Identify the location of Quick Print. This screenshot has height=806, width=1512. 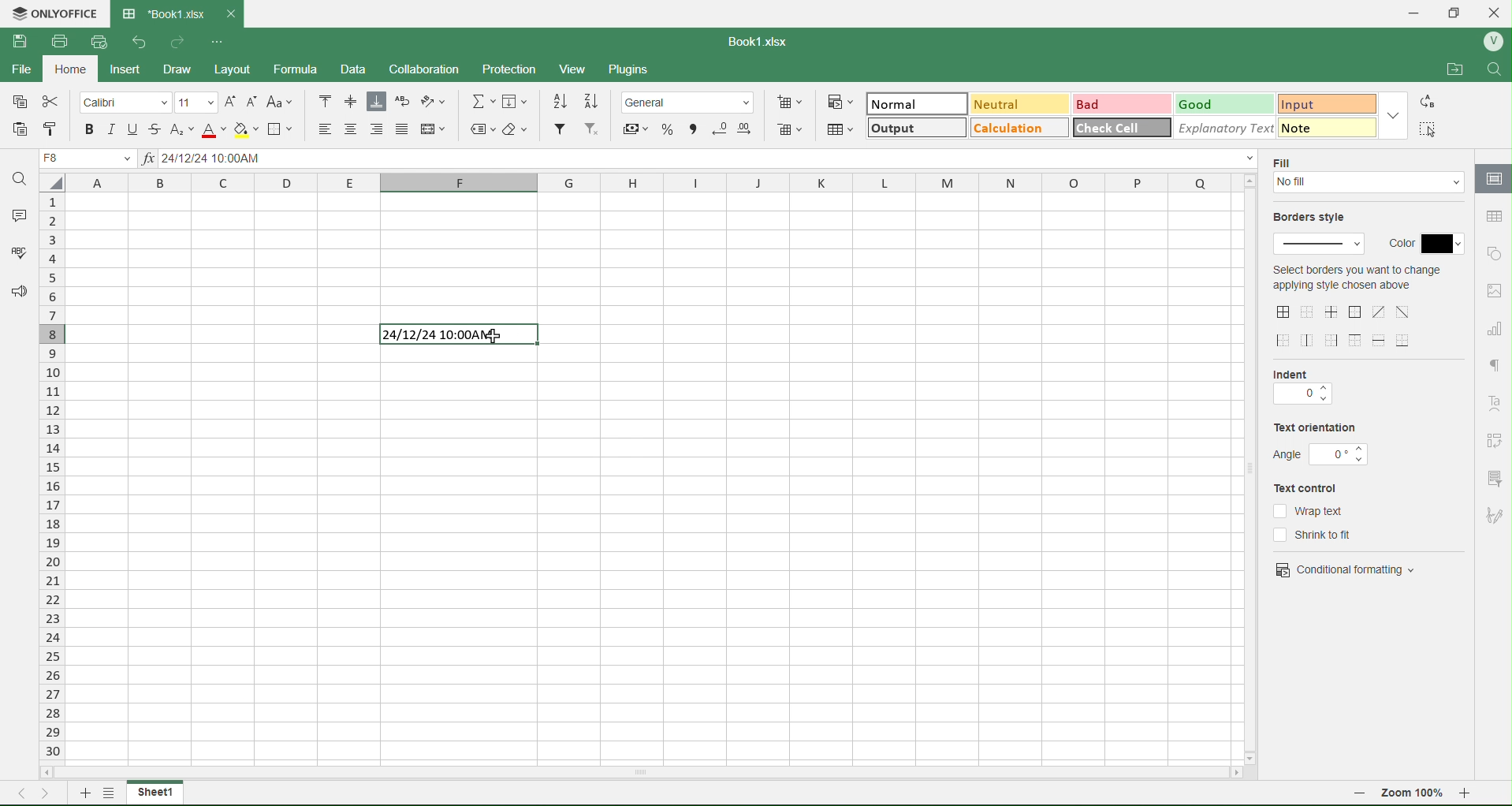
(97, 43).